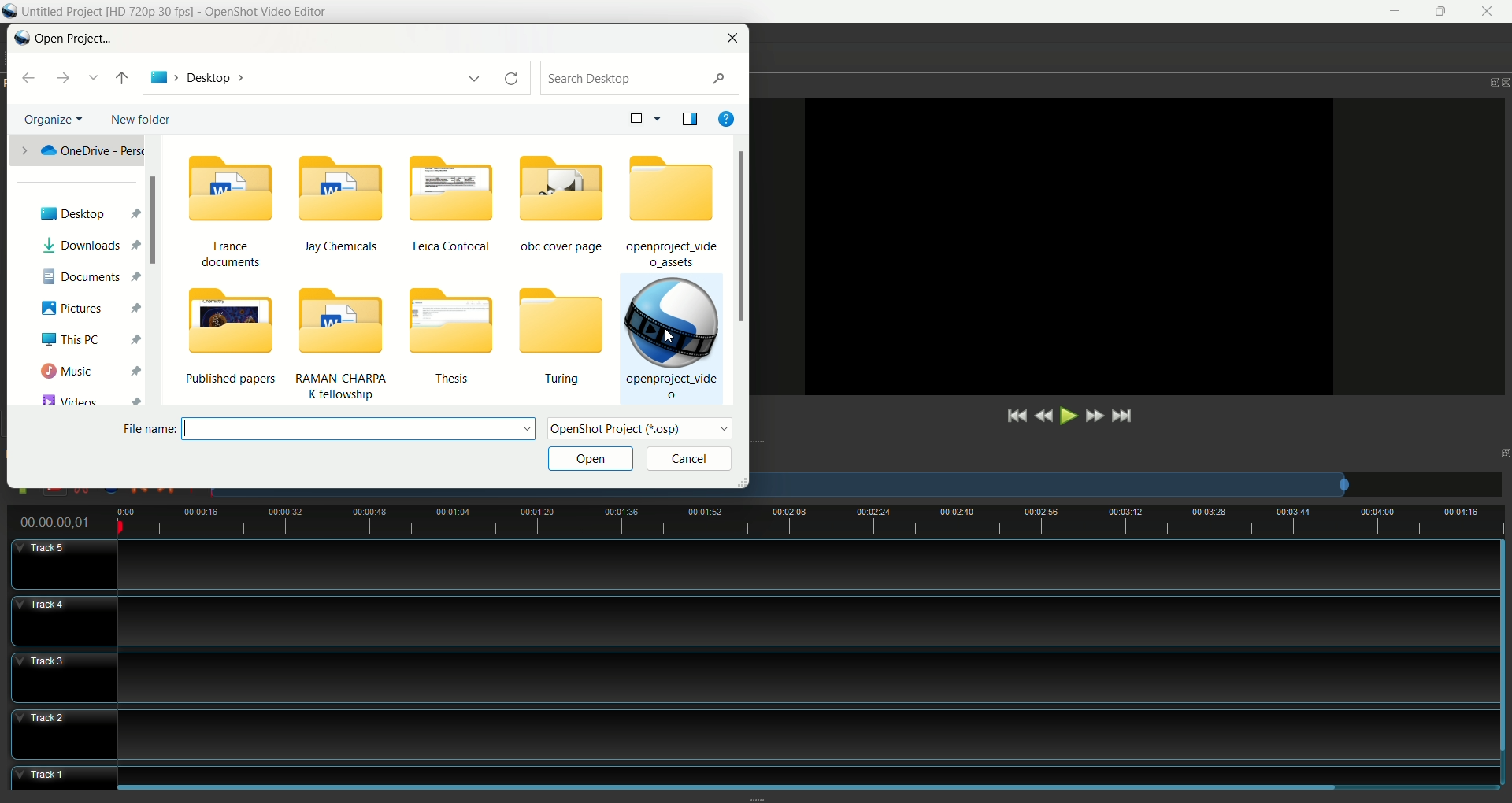 The width and height of the screenshot is (1512, 803). I want to click on Untitled Project [HD 720p 30 fps] - OpenShot Video Editor, so click(191, 13).